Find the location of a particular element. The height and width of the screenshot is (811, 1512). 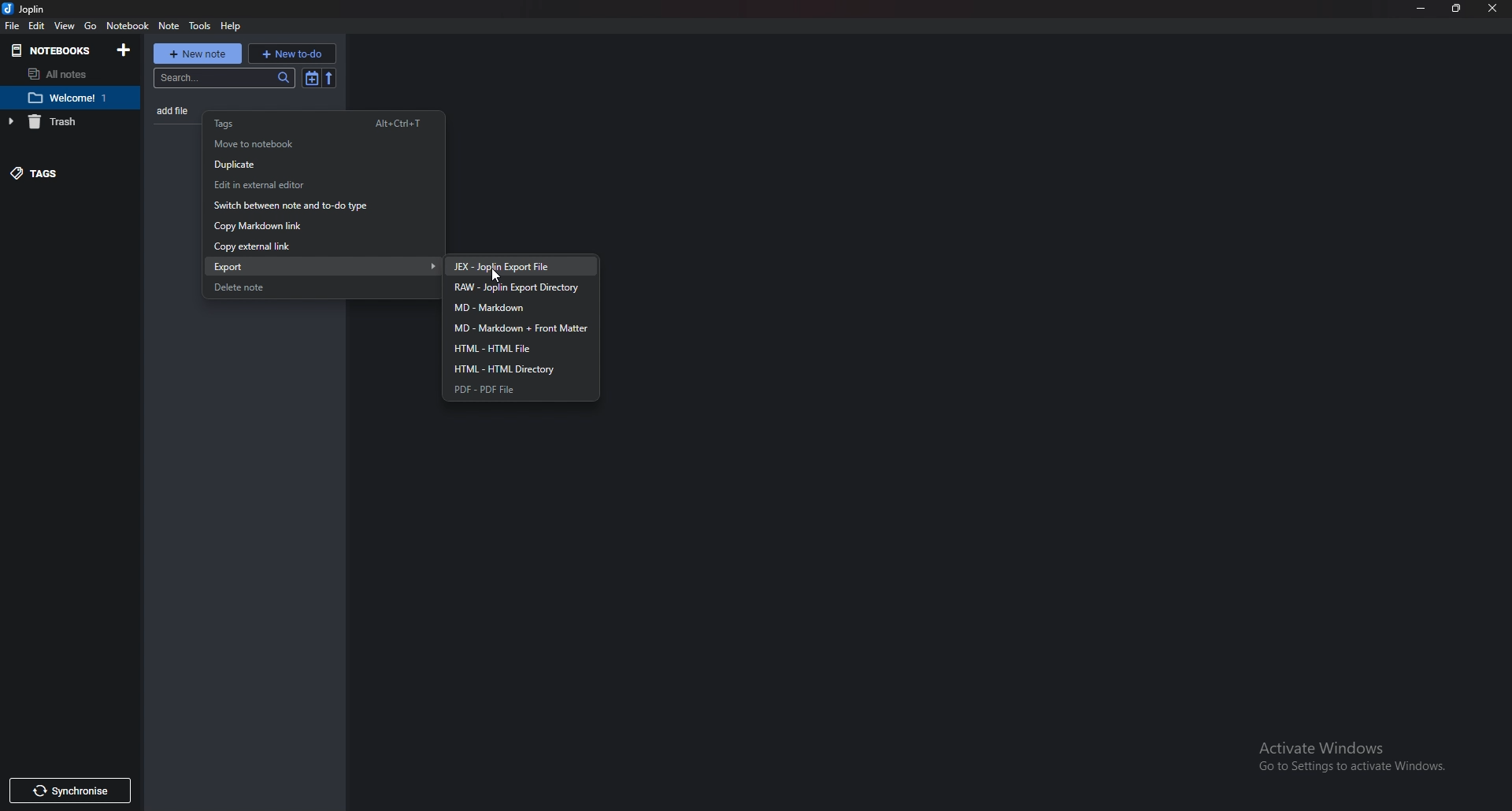

Copy external link is located at coordinates (305, 247).